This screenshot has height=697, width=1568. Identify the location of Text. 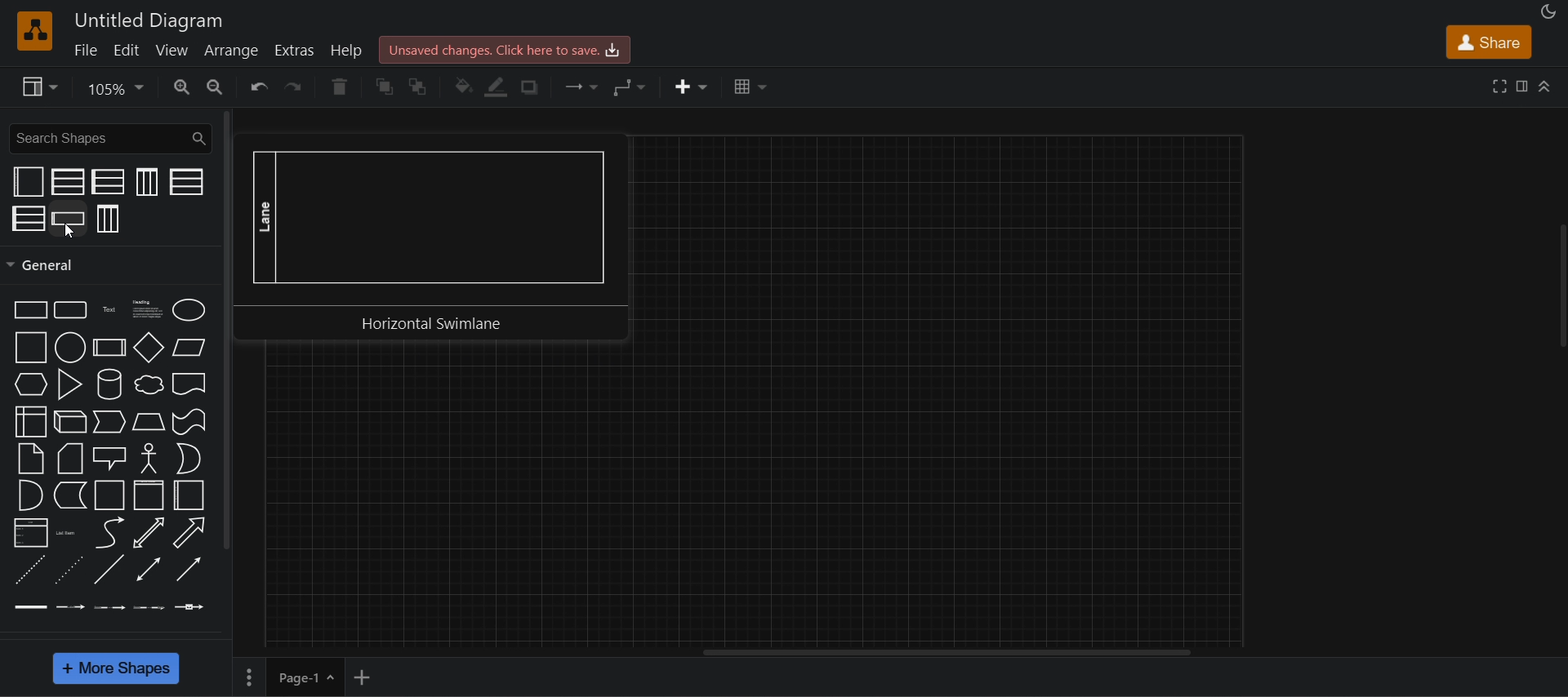
(108, 309).